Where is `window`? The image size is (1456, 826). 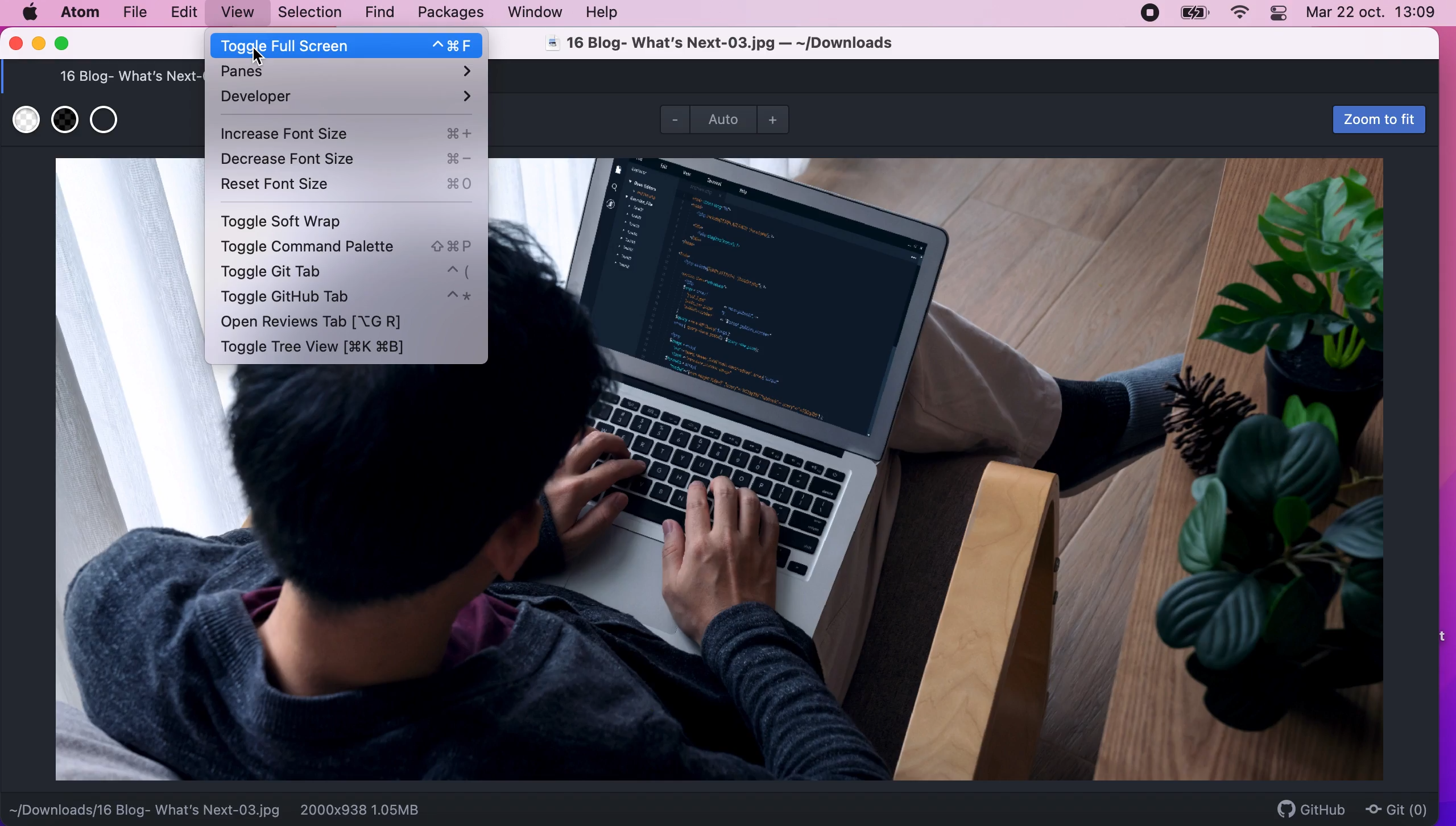 window is located at coordinates (535, 13).